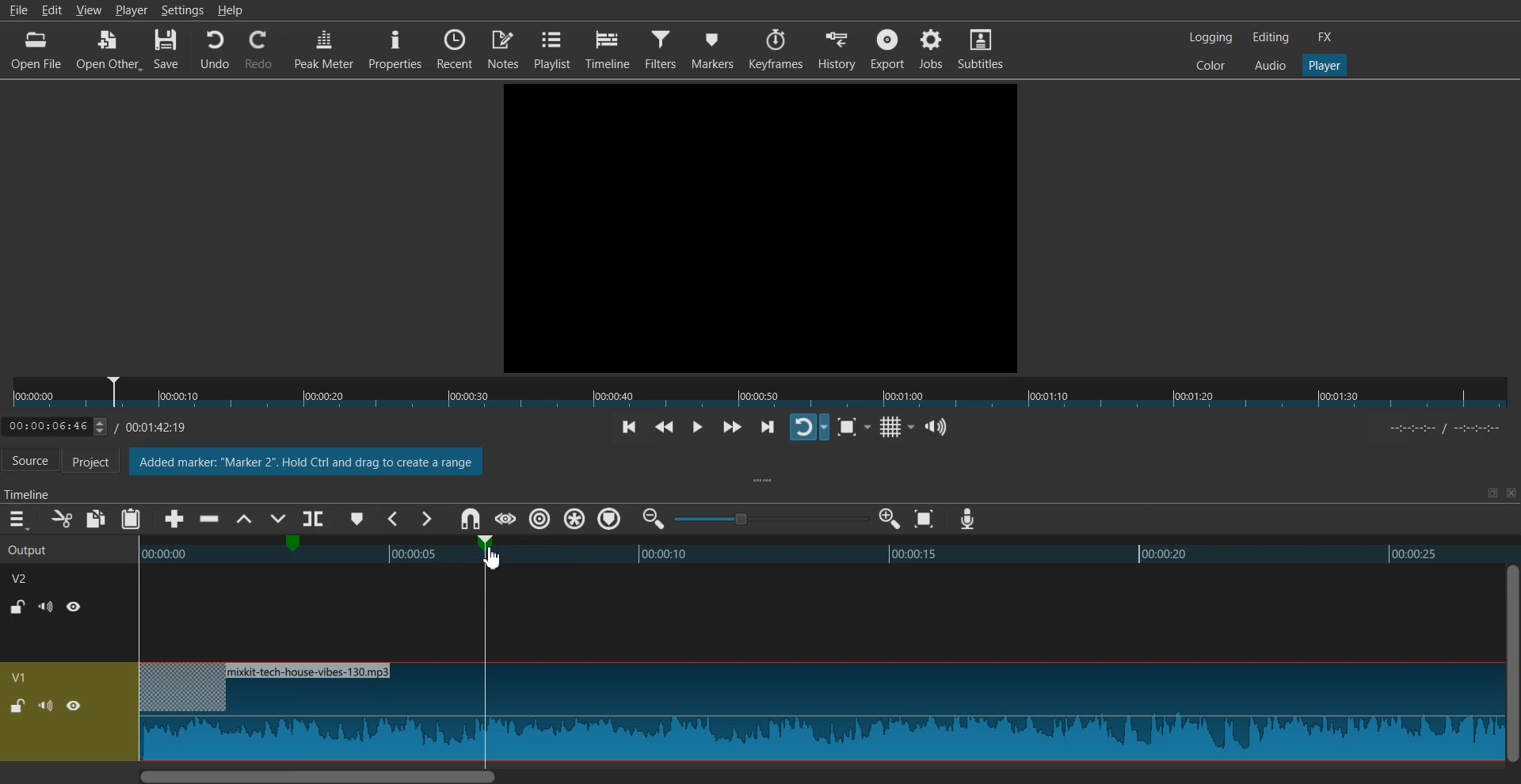 This screenshot has width=1521, height=784. I want to click on Output, so click(49, 548).